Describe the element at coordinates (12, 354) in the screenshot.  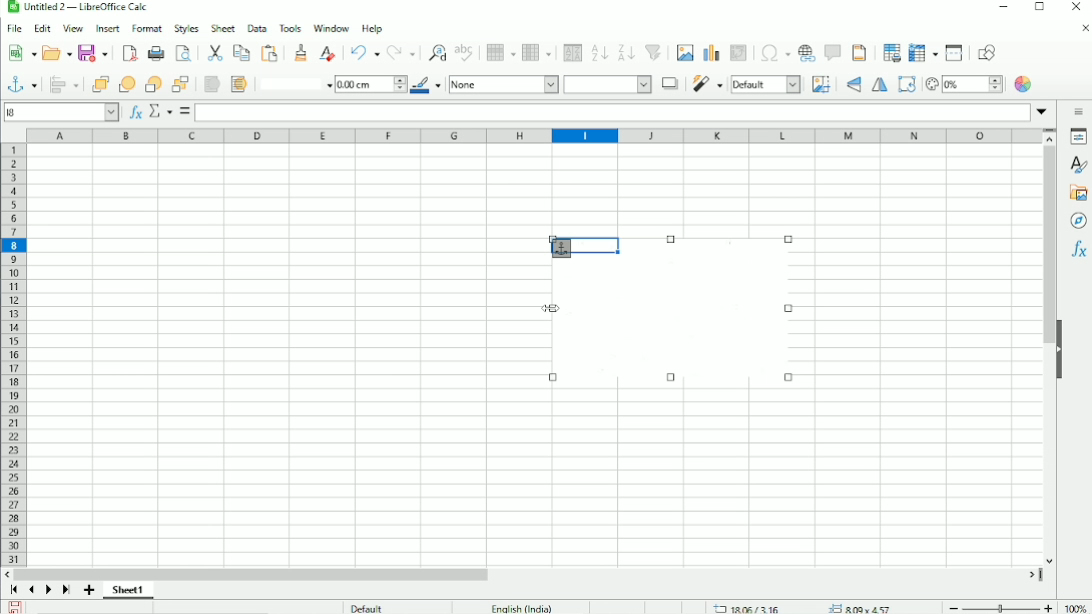
I see `Row headings` at that location.